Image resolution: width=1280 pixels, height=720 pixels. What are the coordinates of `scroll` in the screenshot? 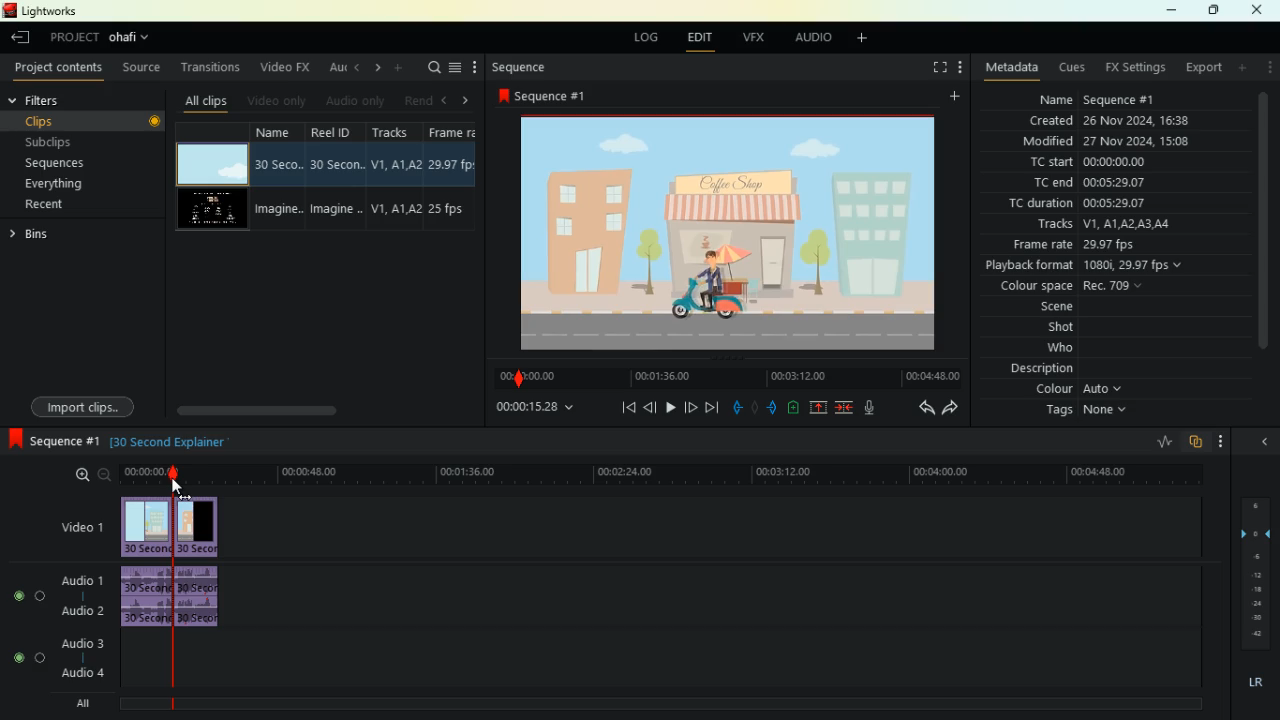 It's located at (305, 410).